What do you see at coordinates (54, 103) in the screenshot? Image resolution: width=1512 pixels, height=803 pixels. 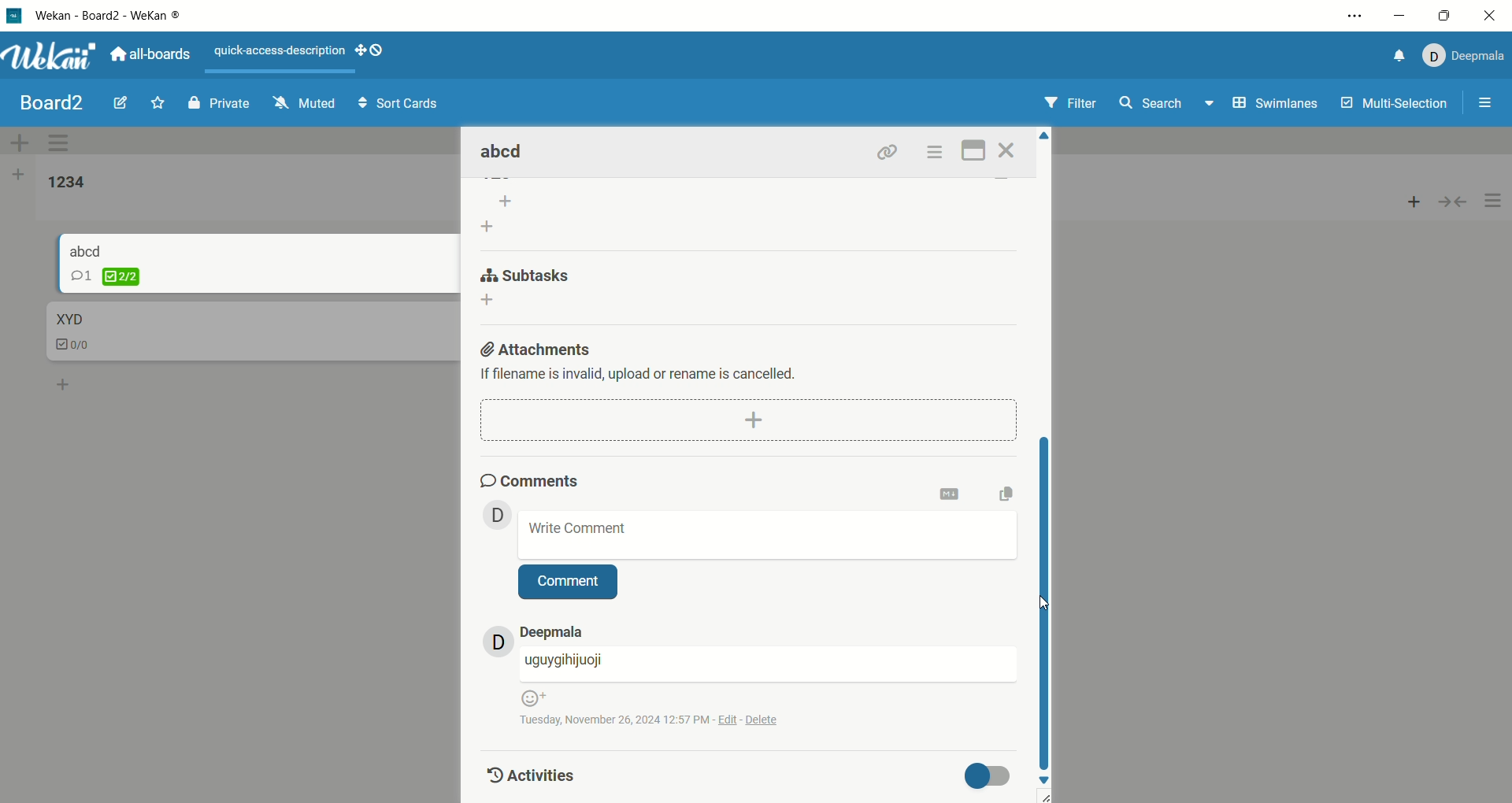 I see `board title` at bounding box center [54, 103].